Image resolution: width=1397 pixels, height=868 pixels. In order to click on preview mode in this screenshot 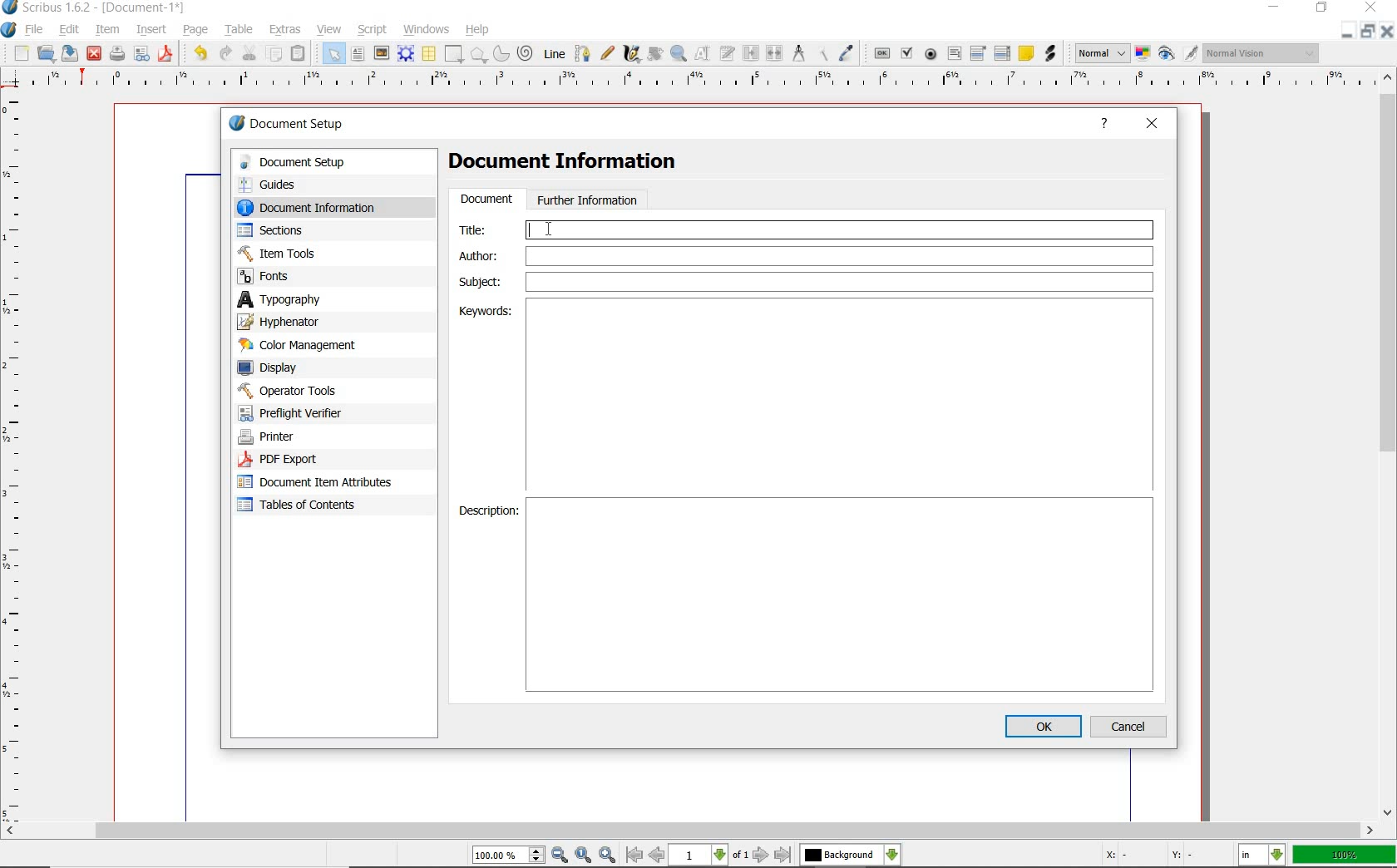, I will do `click(1179, 54)`.